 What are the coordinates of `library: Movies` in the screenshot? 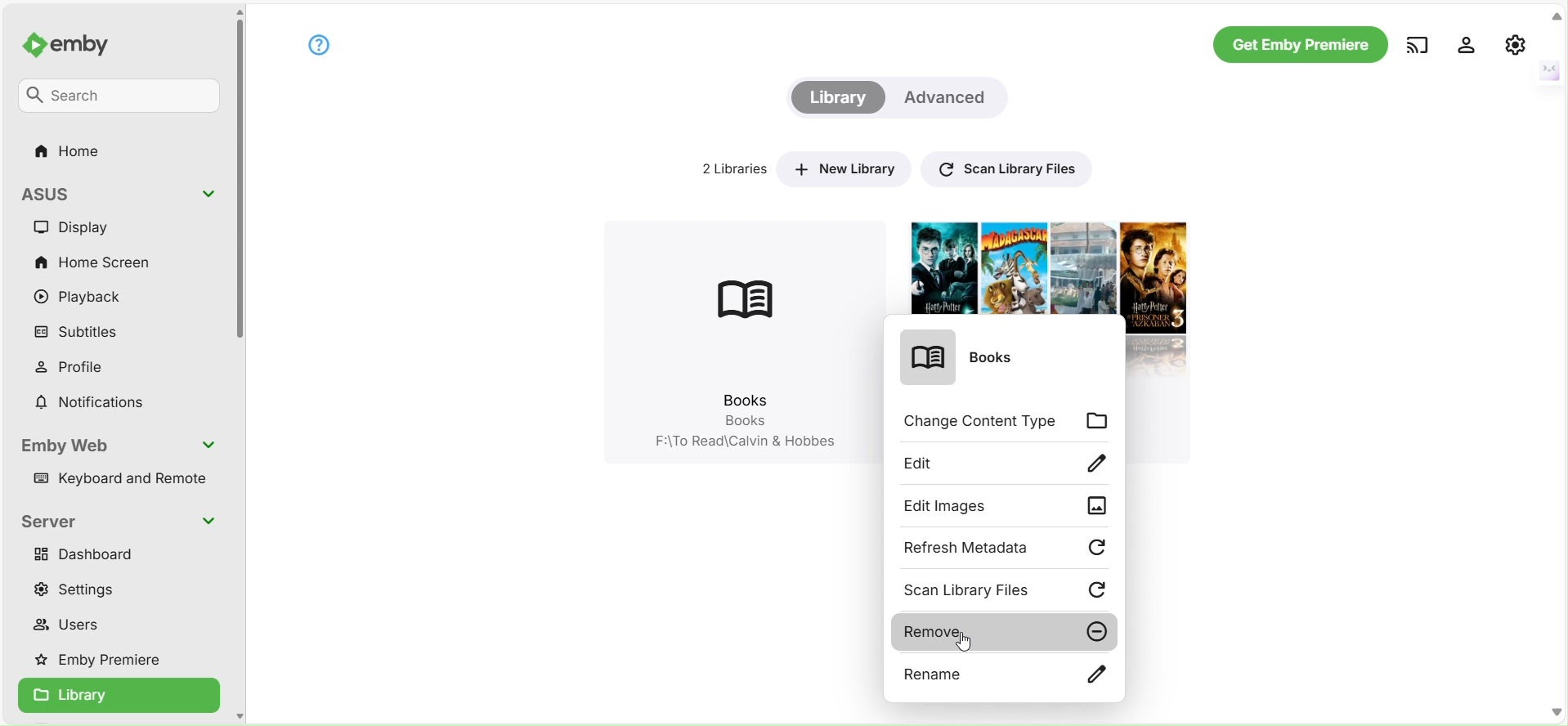 It's located at (1042, 265).